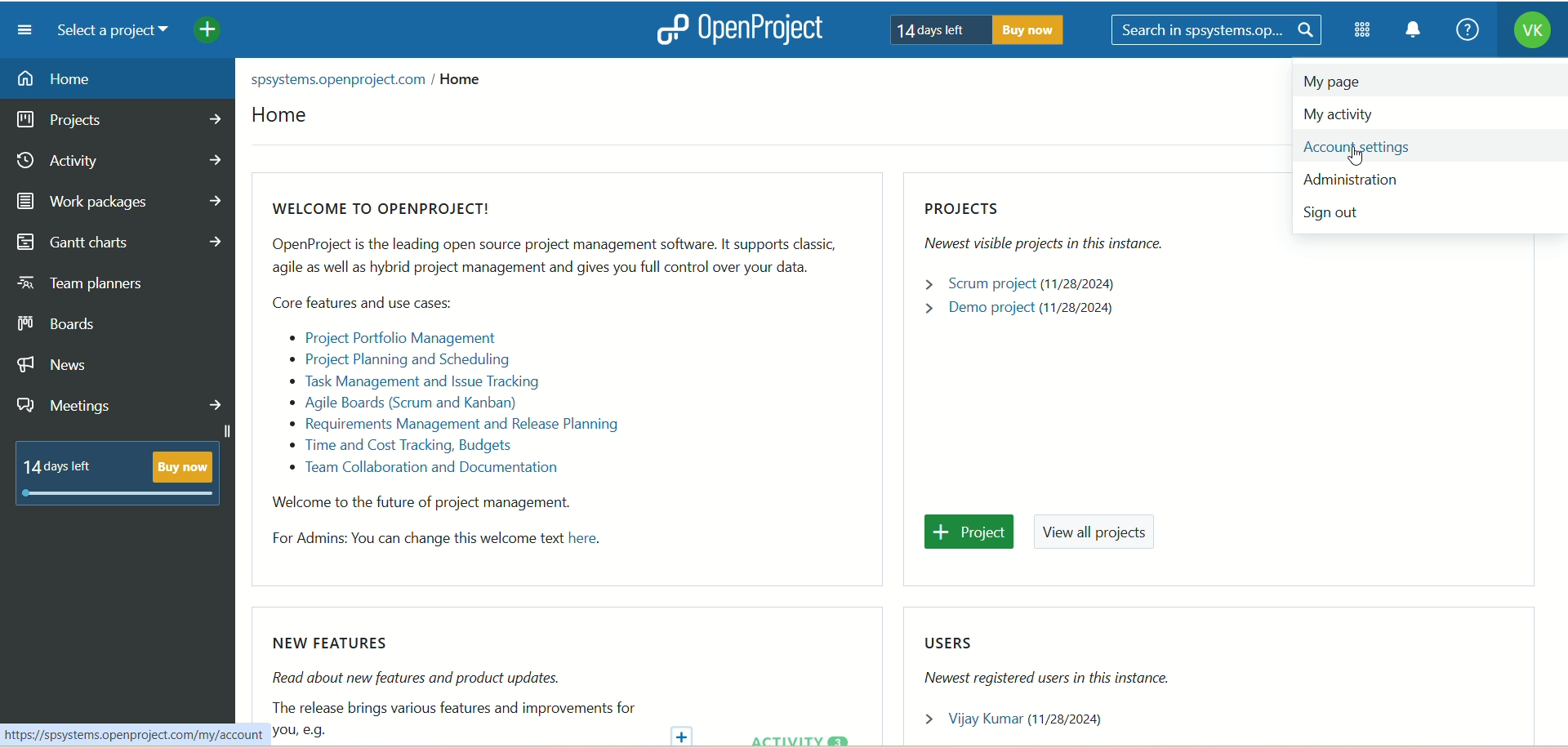 Image resolution: width=1568 pixels, height=748 pixels. Describe the element at coordinates (106, 31) in the screenshot. I see `select a project` at that location.